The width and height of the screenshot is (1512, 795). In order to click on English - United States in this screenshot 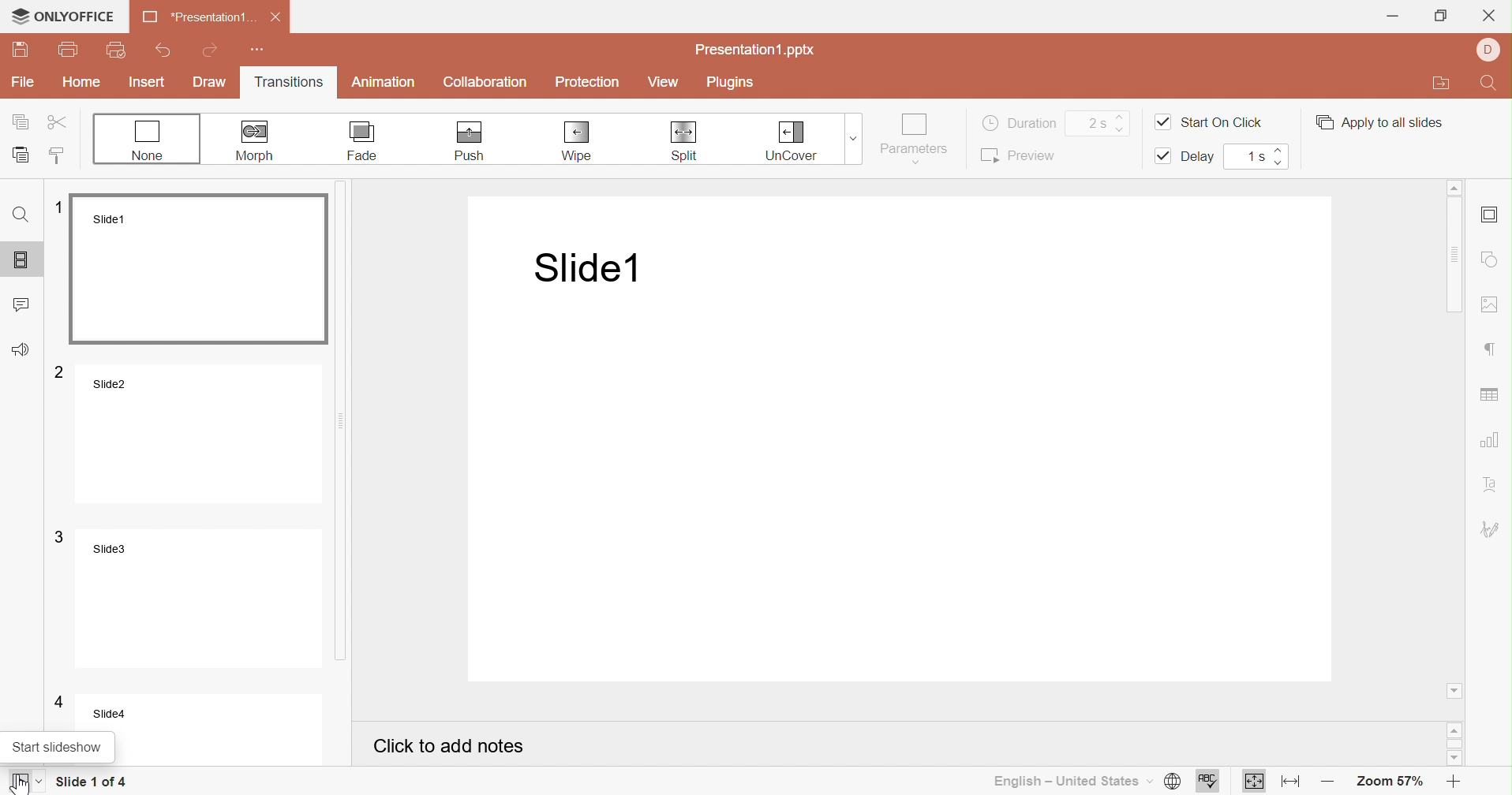, I will do `click(1074, 782)`.